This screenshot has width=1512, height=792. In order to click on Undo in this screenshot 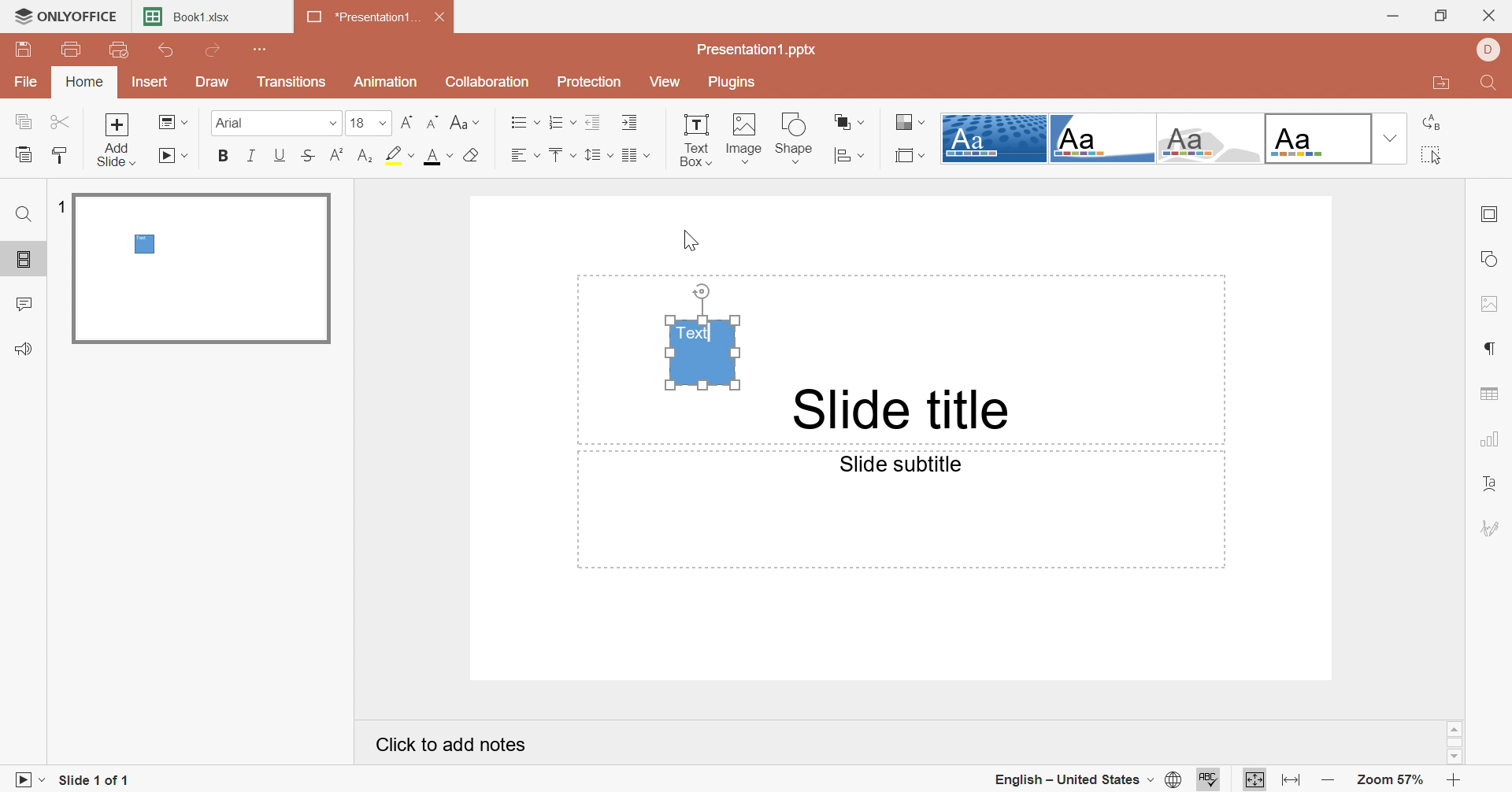, I will do `click(166, 54)`.